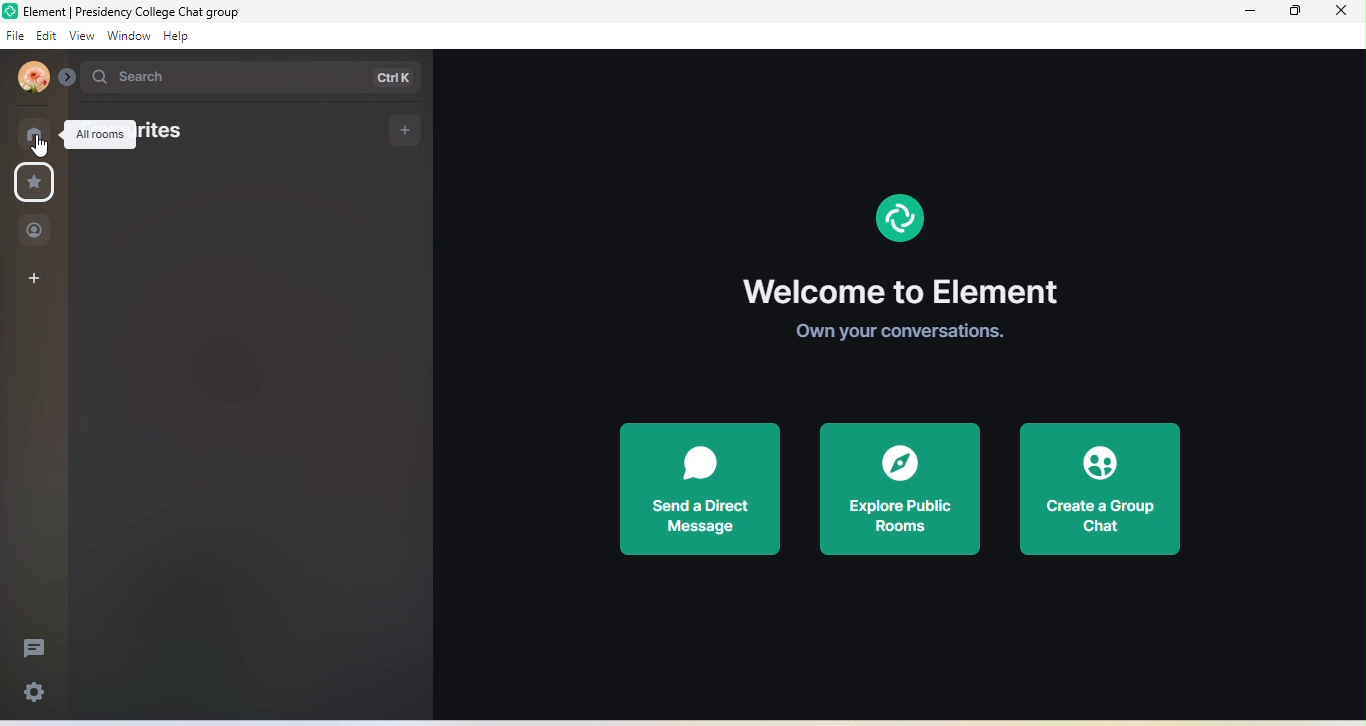 Image resolution: width=1366 pixels, height=726 pixels. Describe the element at coordinates (700, 489) in the screenshot. I see `send a direct message` at that location.